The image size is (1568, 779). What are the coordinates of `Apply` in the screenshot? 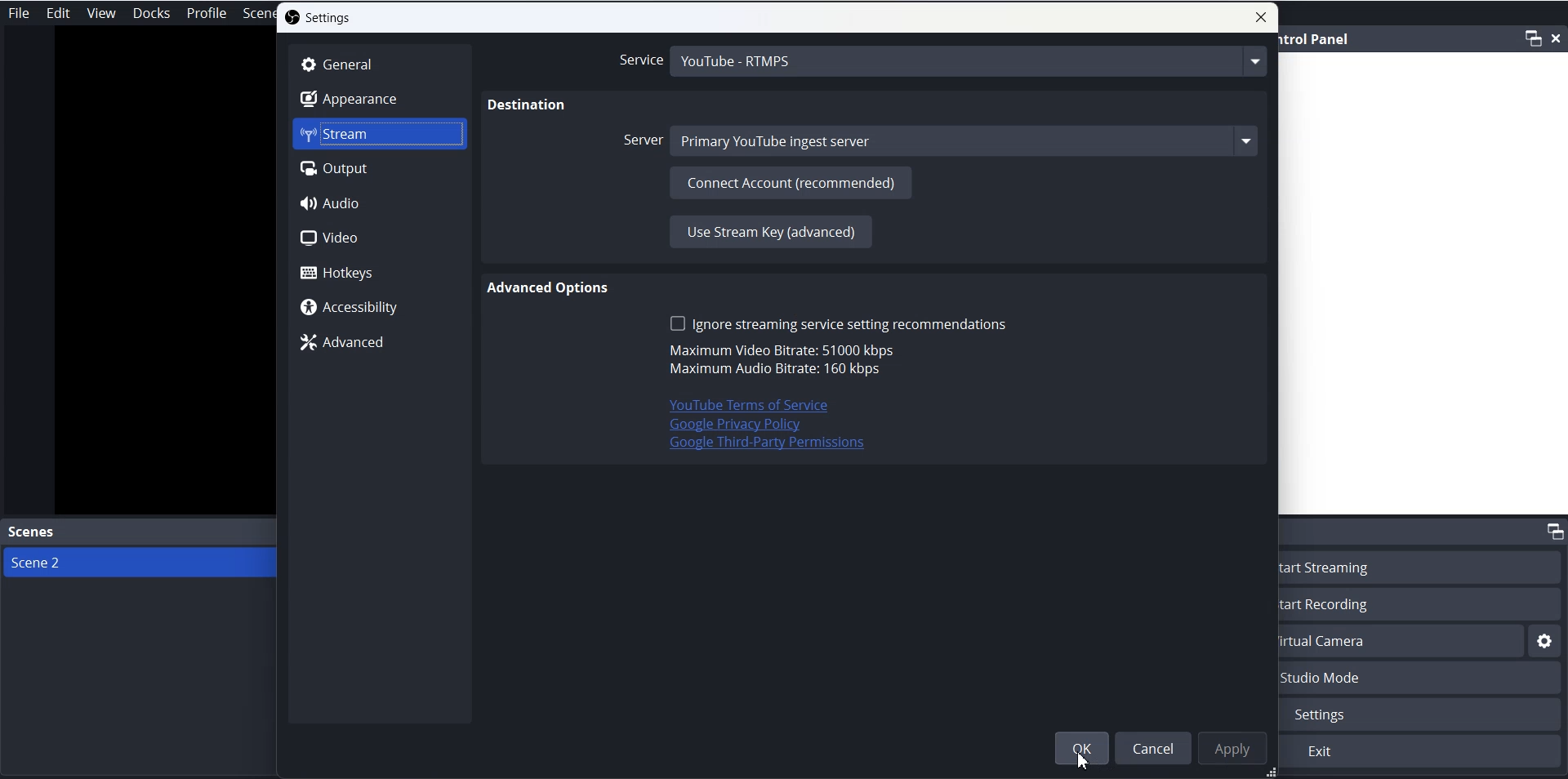 It's located at (1229, 747).